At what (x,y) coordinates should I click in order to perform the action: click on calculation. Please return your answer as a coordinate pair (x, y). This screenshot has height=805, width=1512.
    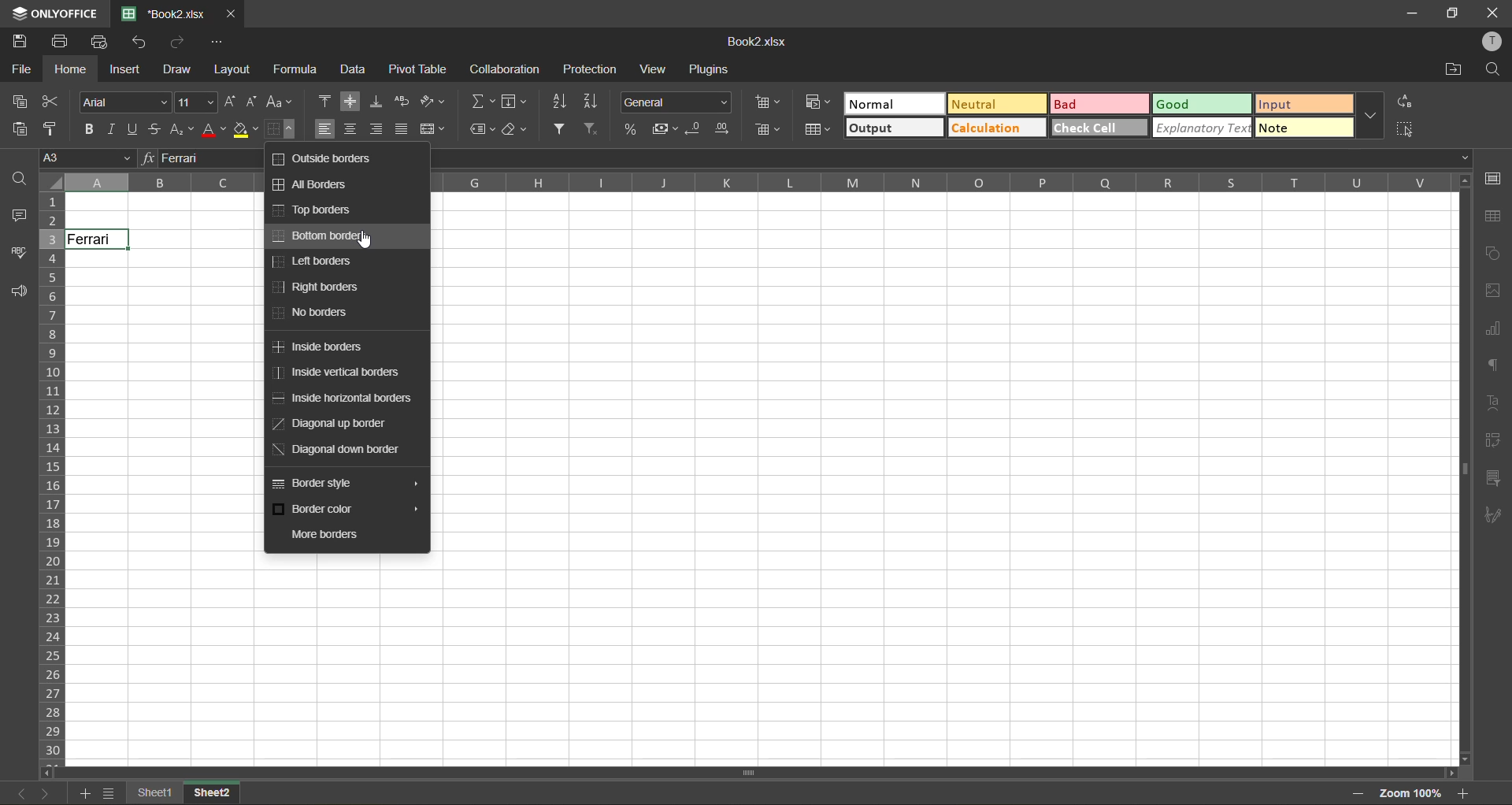
    Looking at the image, I should click on (994, 129).